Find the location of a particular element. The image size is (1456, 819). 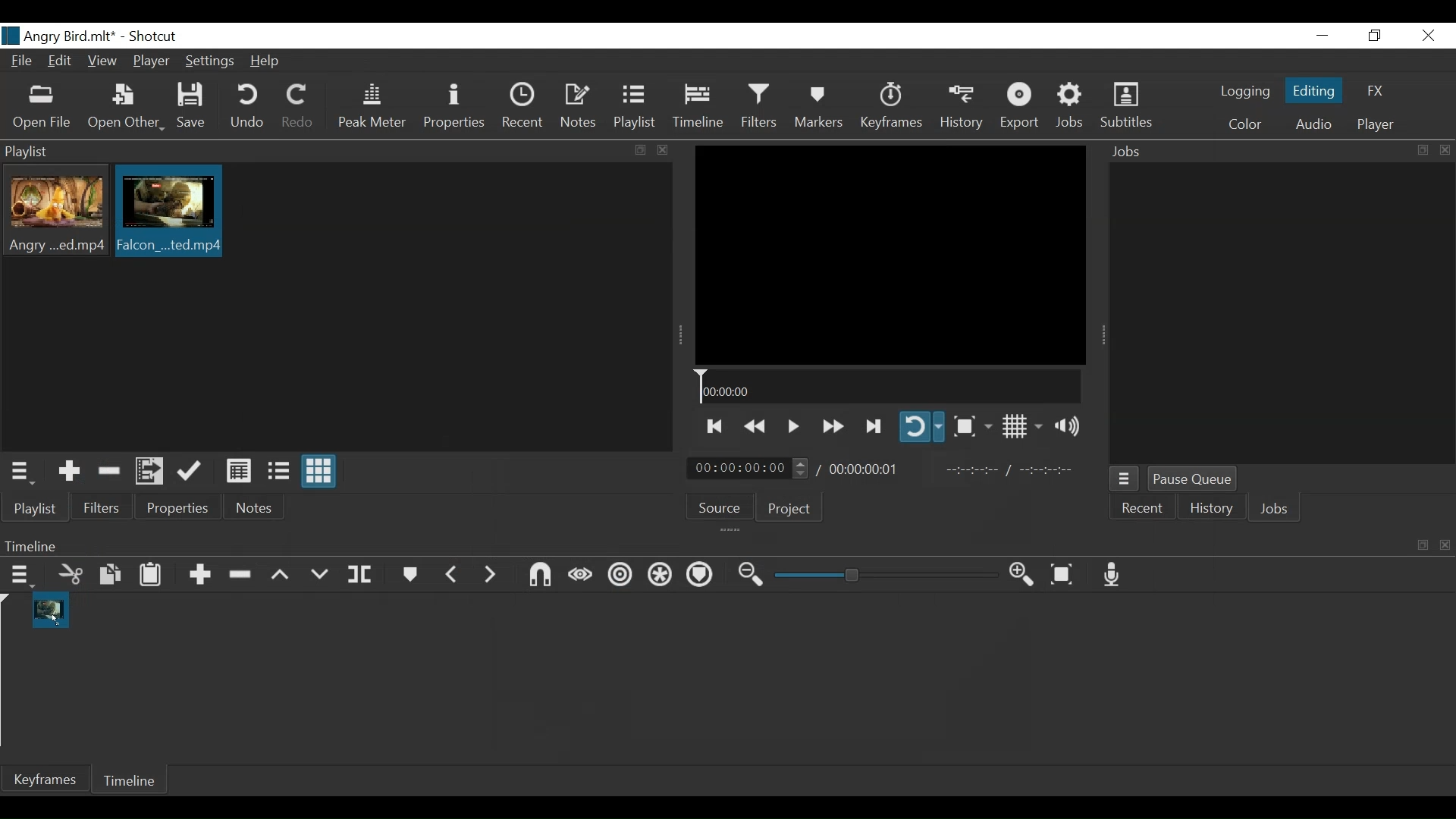

Properties is located at coordinates (456, 106).